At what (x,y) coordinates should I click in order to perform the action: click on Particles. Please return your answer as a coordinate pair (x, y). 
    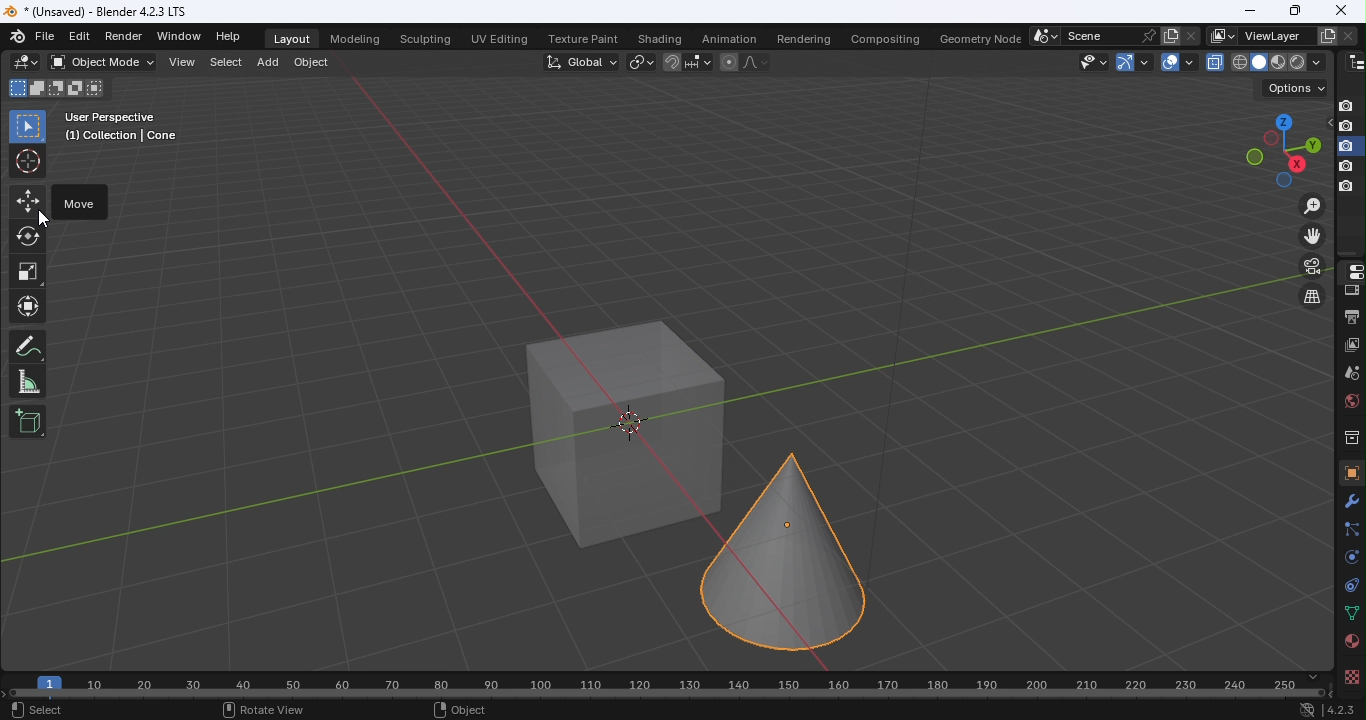
    Looking at the image, I should click on (1350, 528).